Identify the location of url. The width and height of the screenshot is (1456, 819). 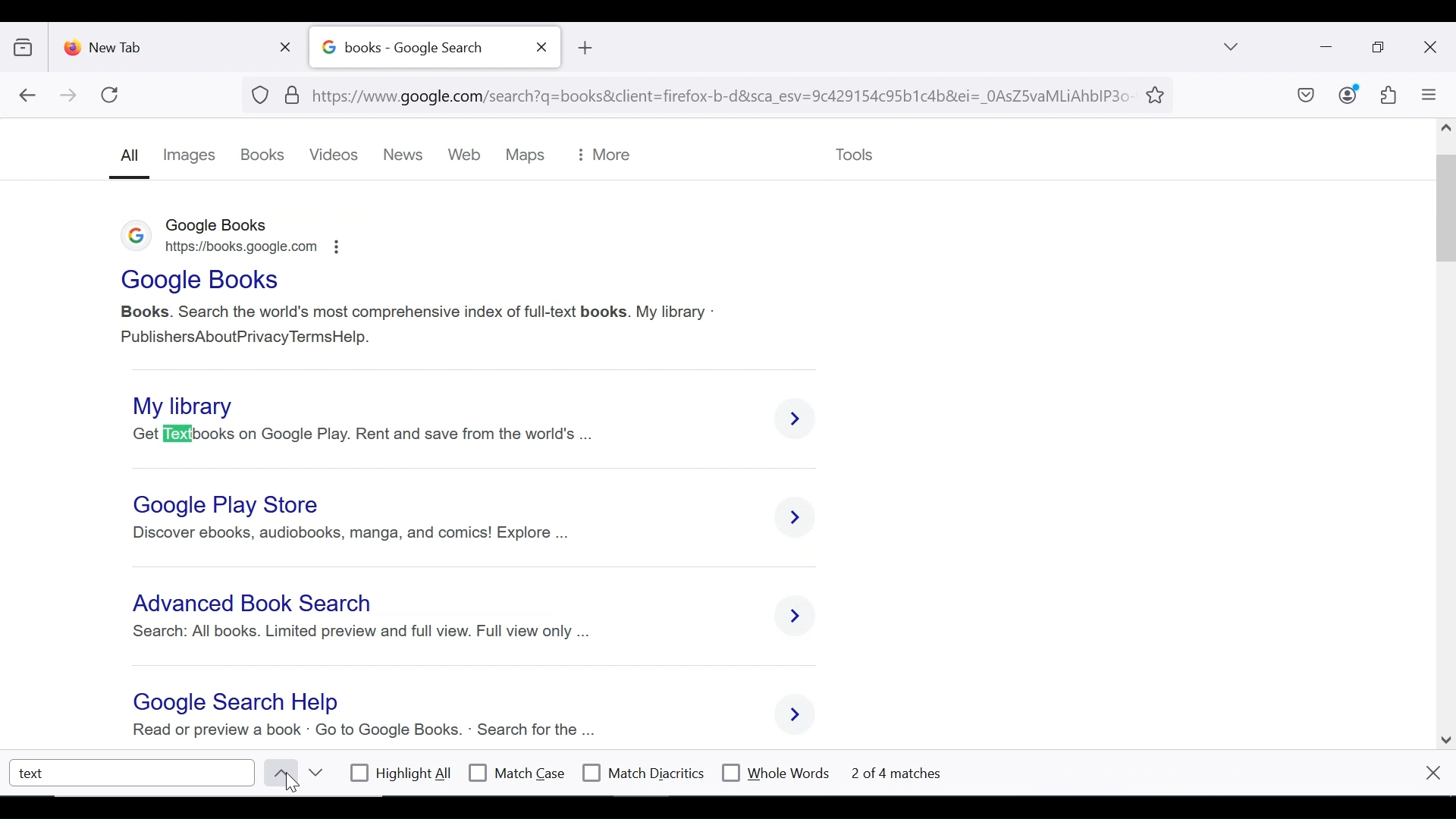
(693, 93).